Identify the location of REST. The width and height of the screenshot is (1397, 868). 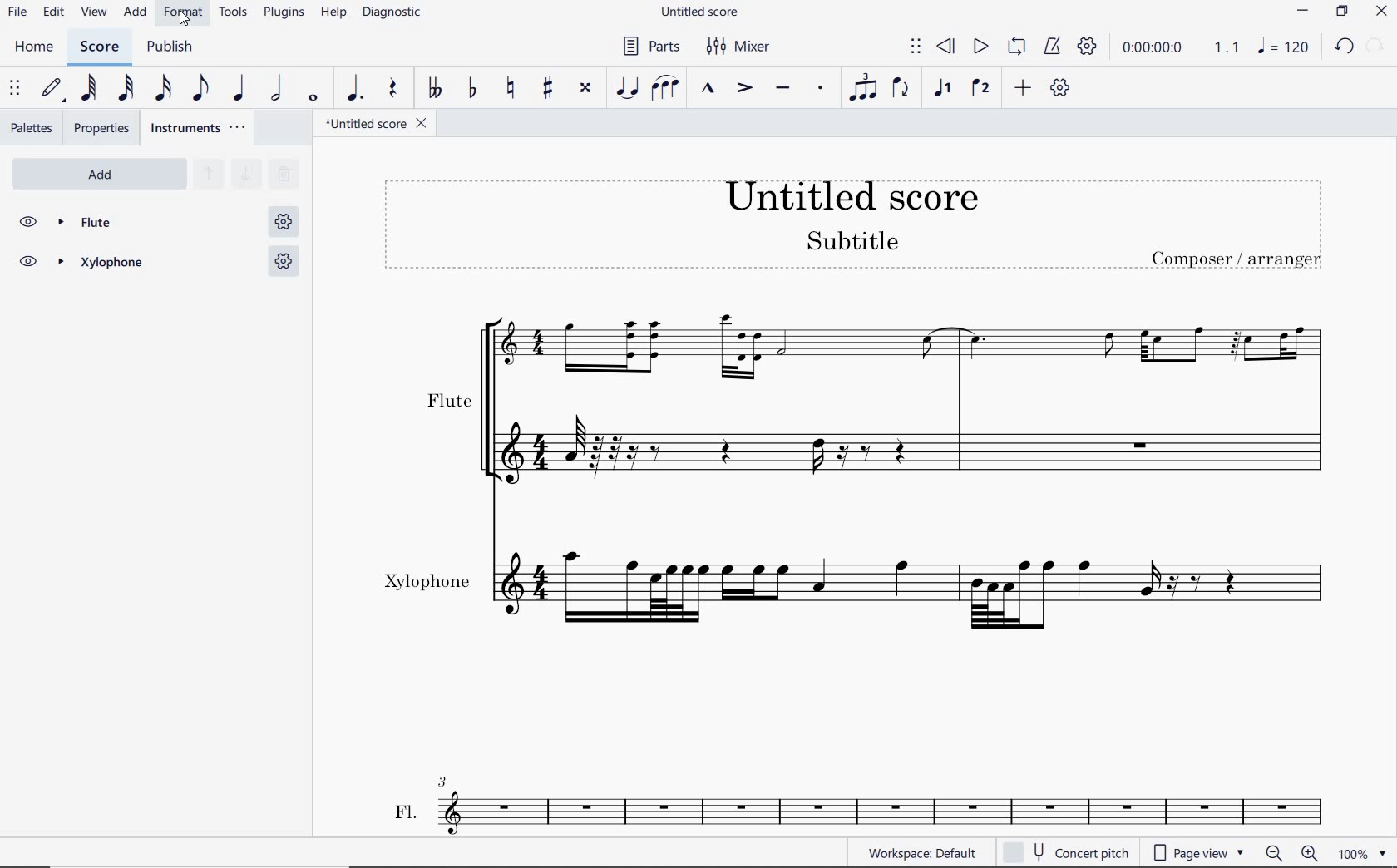
(394, 87).